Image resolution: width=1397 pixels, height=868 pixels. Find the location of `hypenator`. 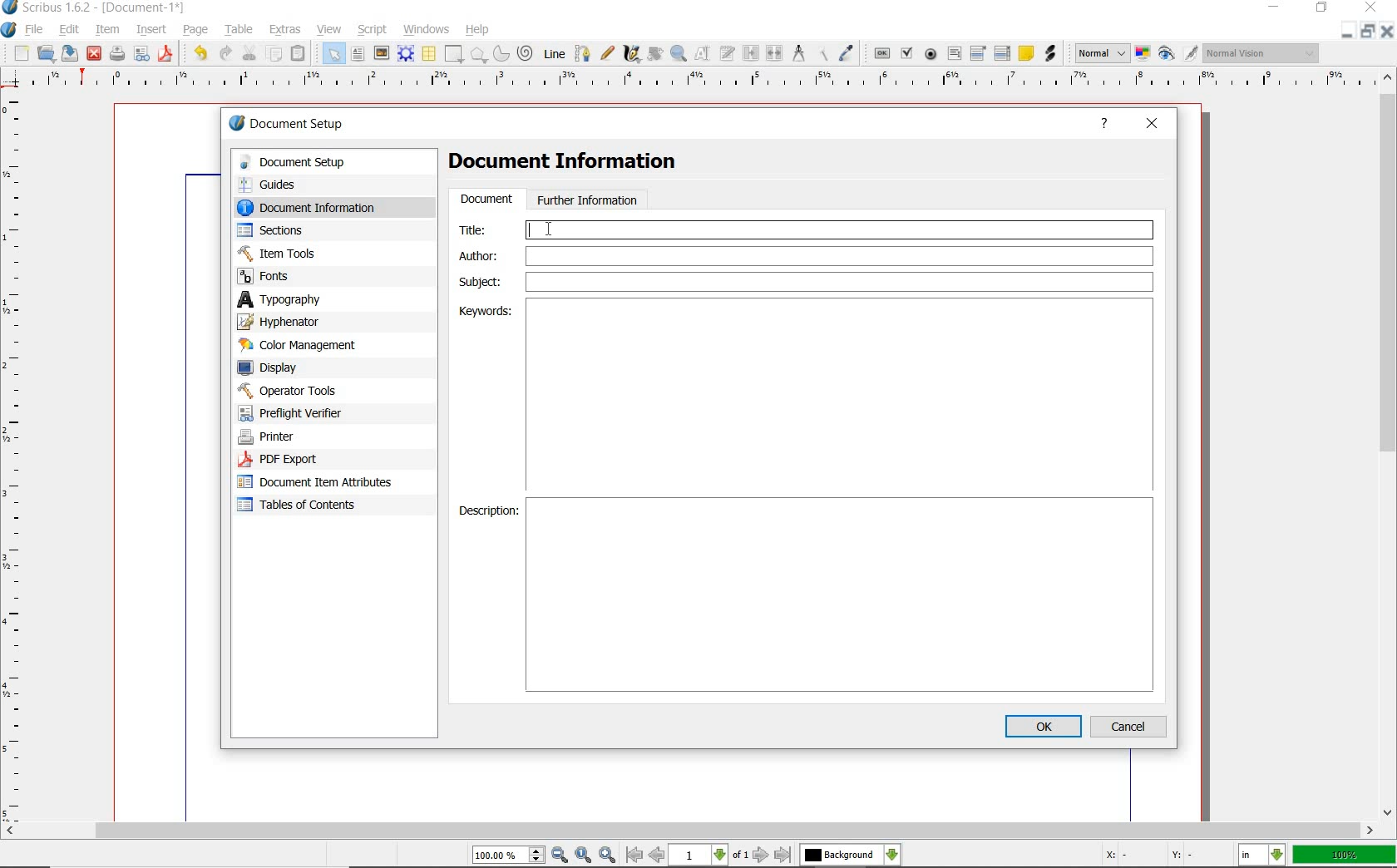

hypenator is located at coordinates (291, 322).